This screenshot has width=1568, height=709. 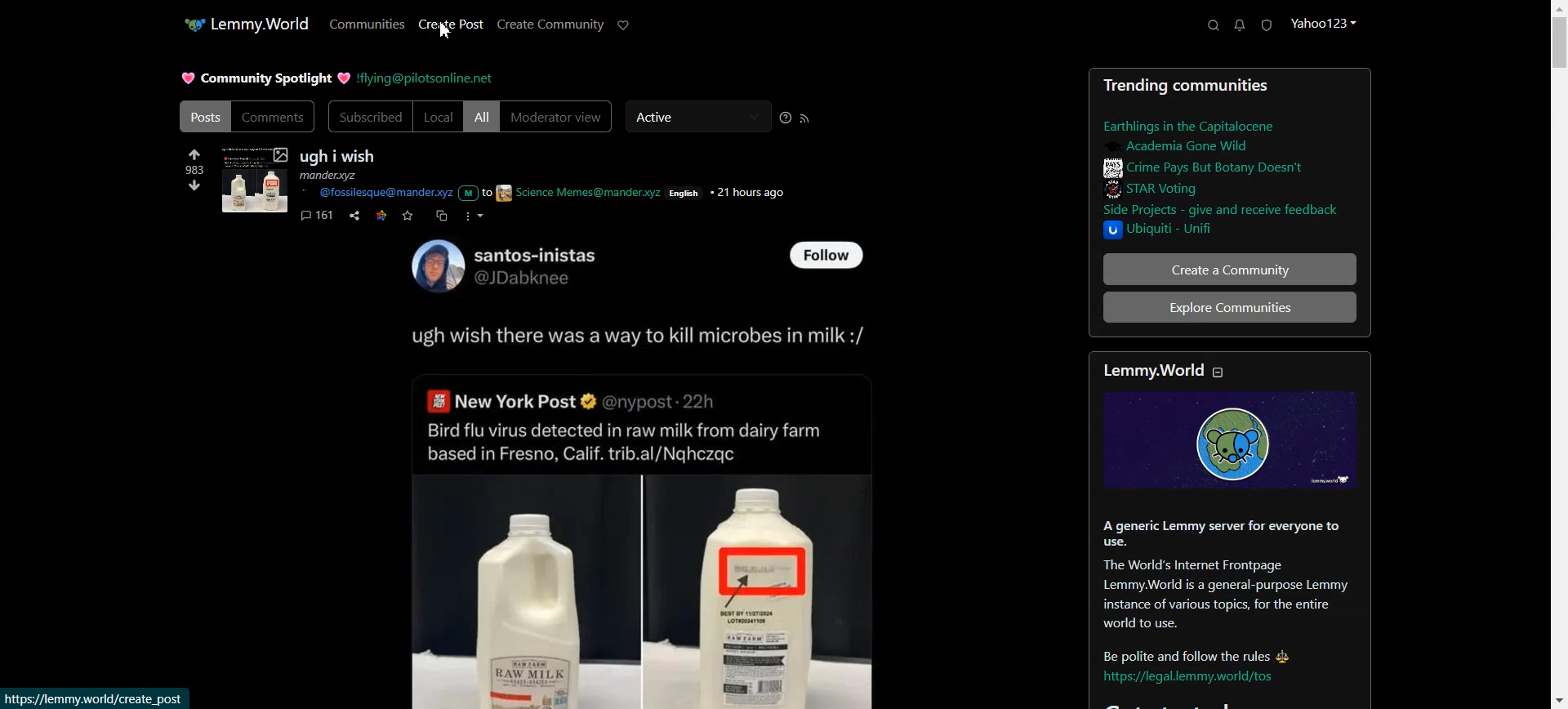 What do you see at coordinates (483, 116) in the screenshot?
I see `All` at bounding box center [483, 116].